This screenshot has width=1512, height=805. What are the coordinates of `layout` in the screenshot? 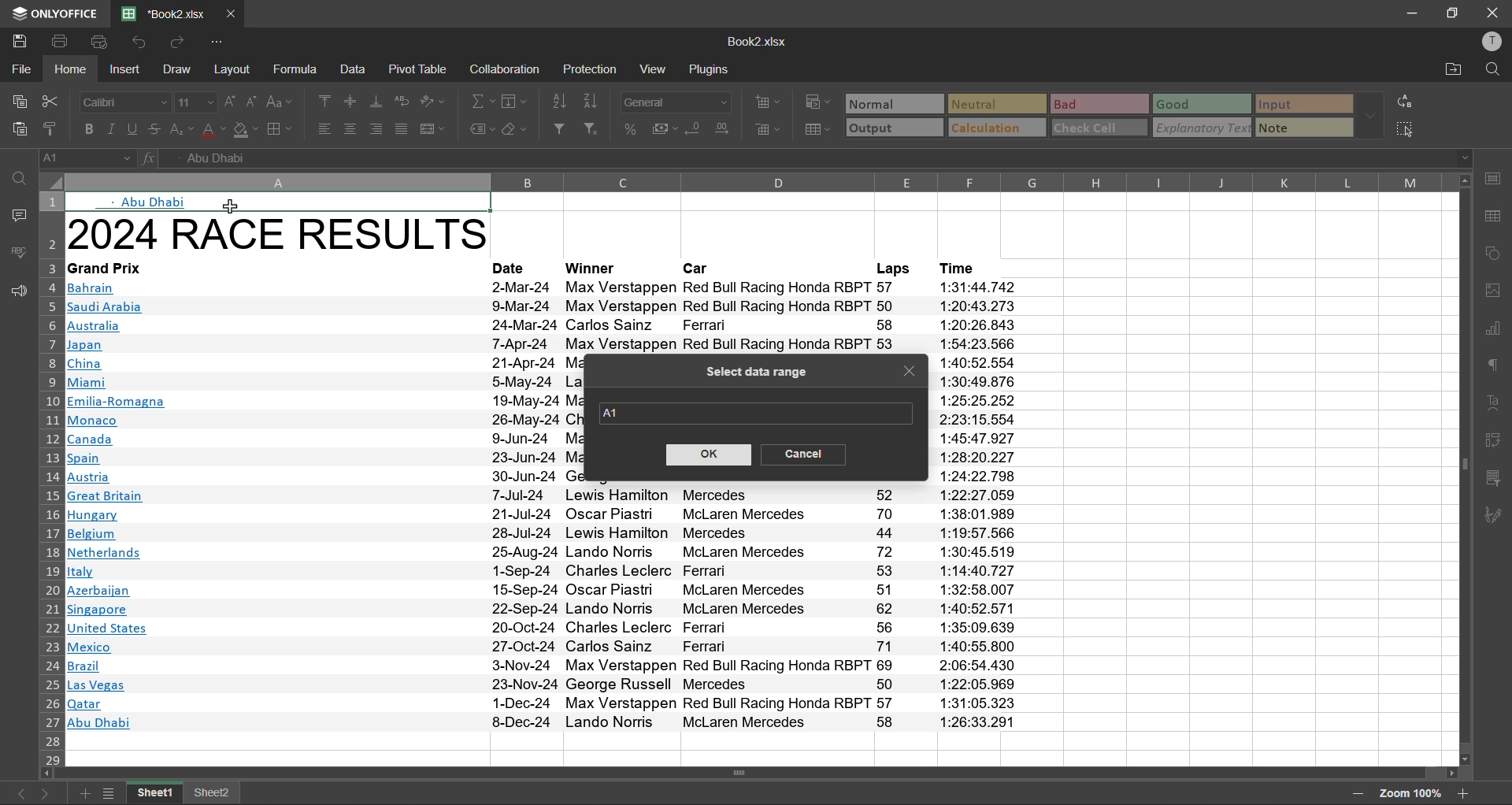 It's located at (229, 69).